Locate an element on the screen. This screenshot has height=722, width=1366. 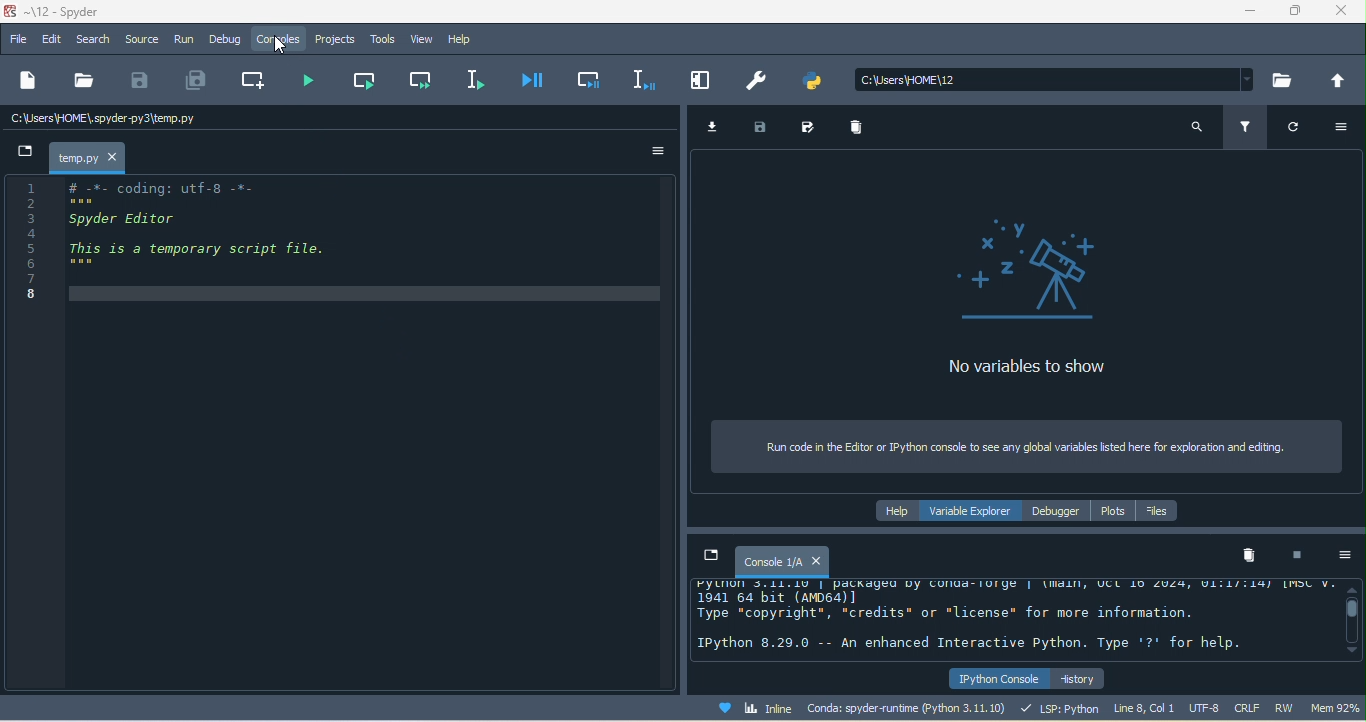
vertical scroll bar is located at coordinates (1351, 617).